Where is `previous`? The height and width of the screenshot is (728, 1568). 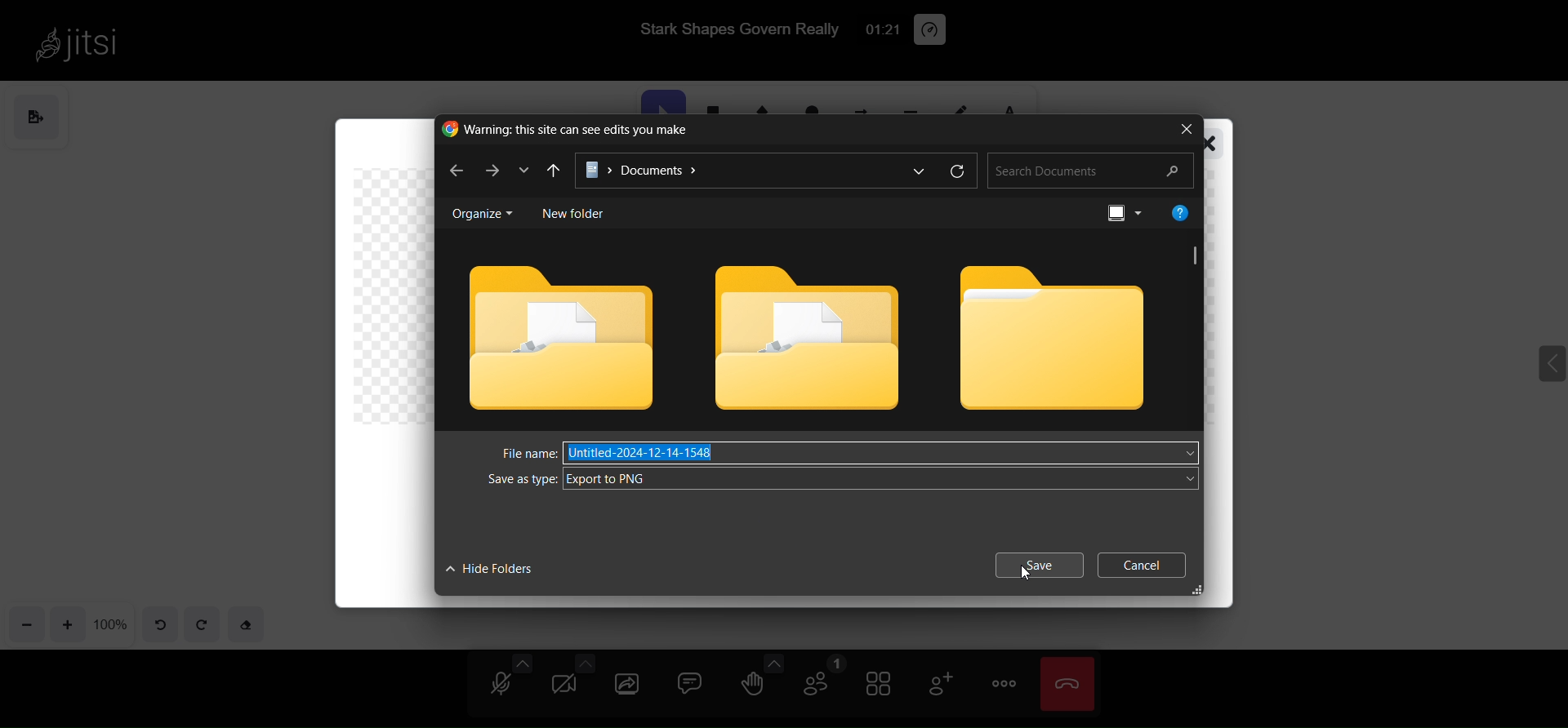
previous is located at coordinates (550, 171).